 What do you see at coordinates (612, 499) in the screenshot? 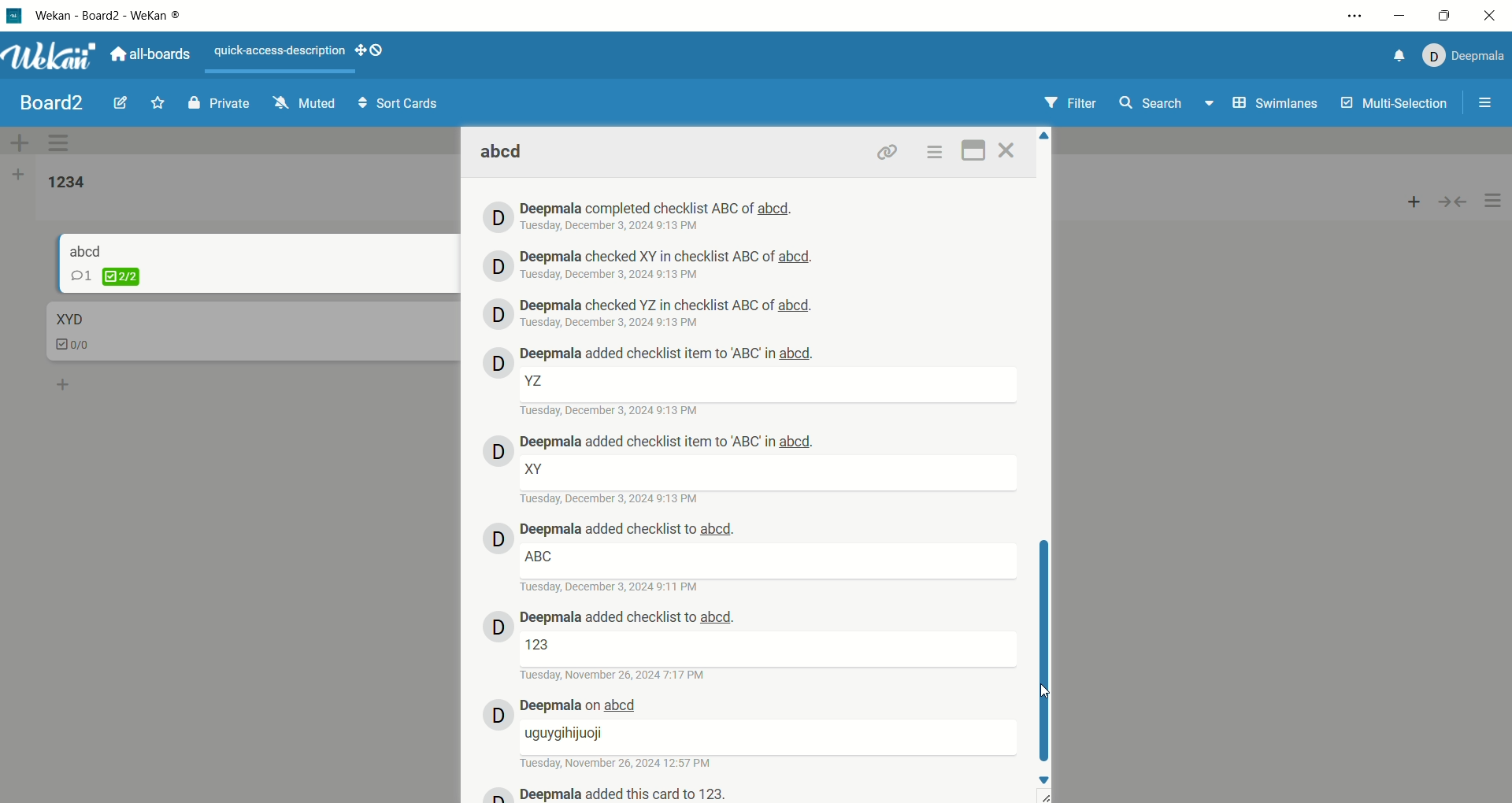
I see `date and time` at bounding box center [612, 499].